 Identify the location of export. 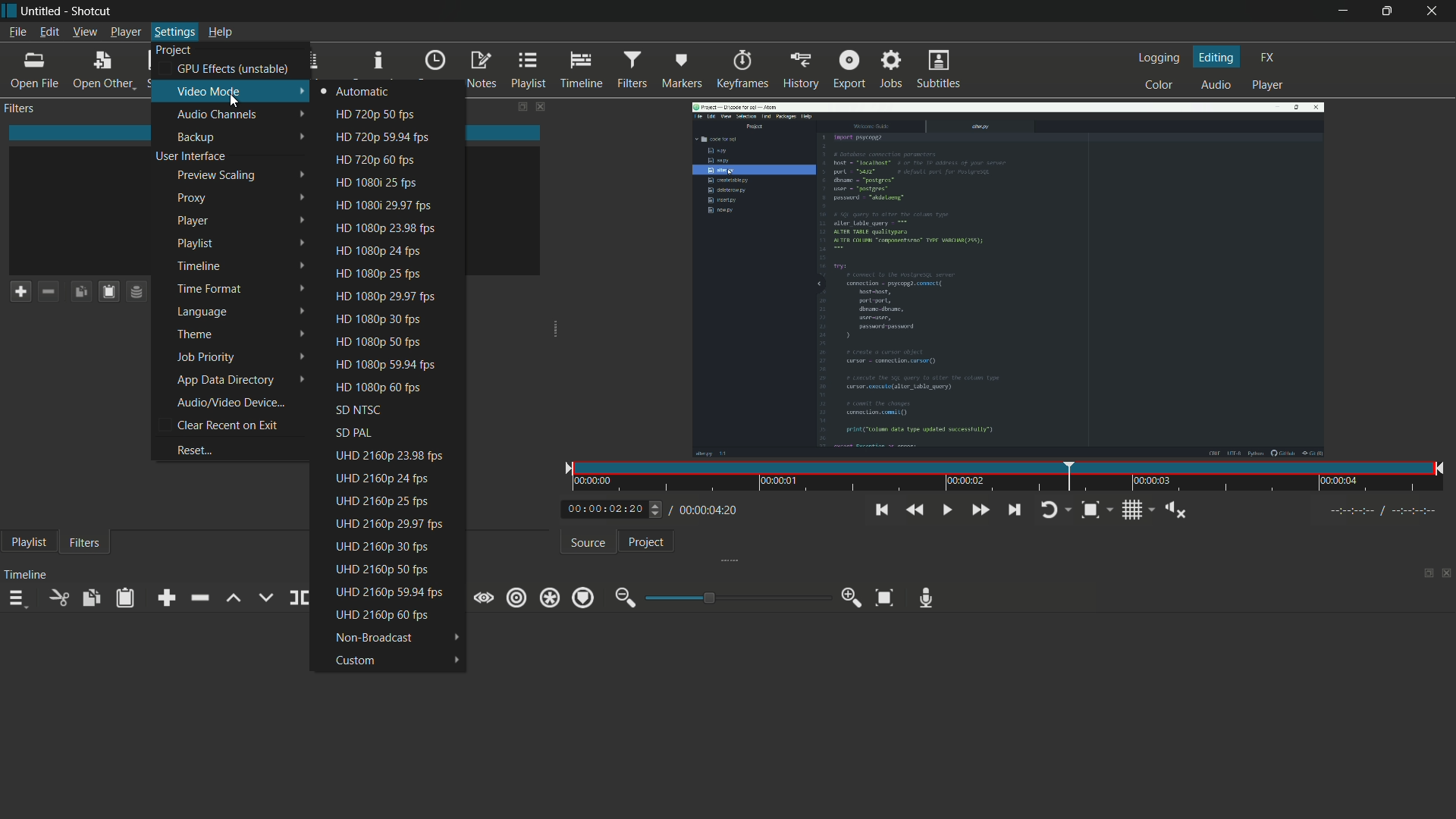
(849, 70).